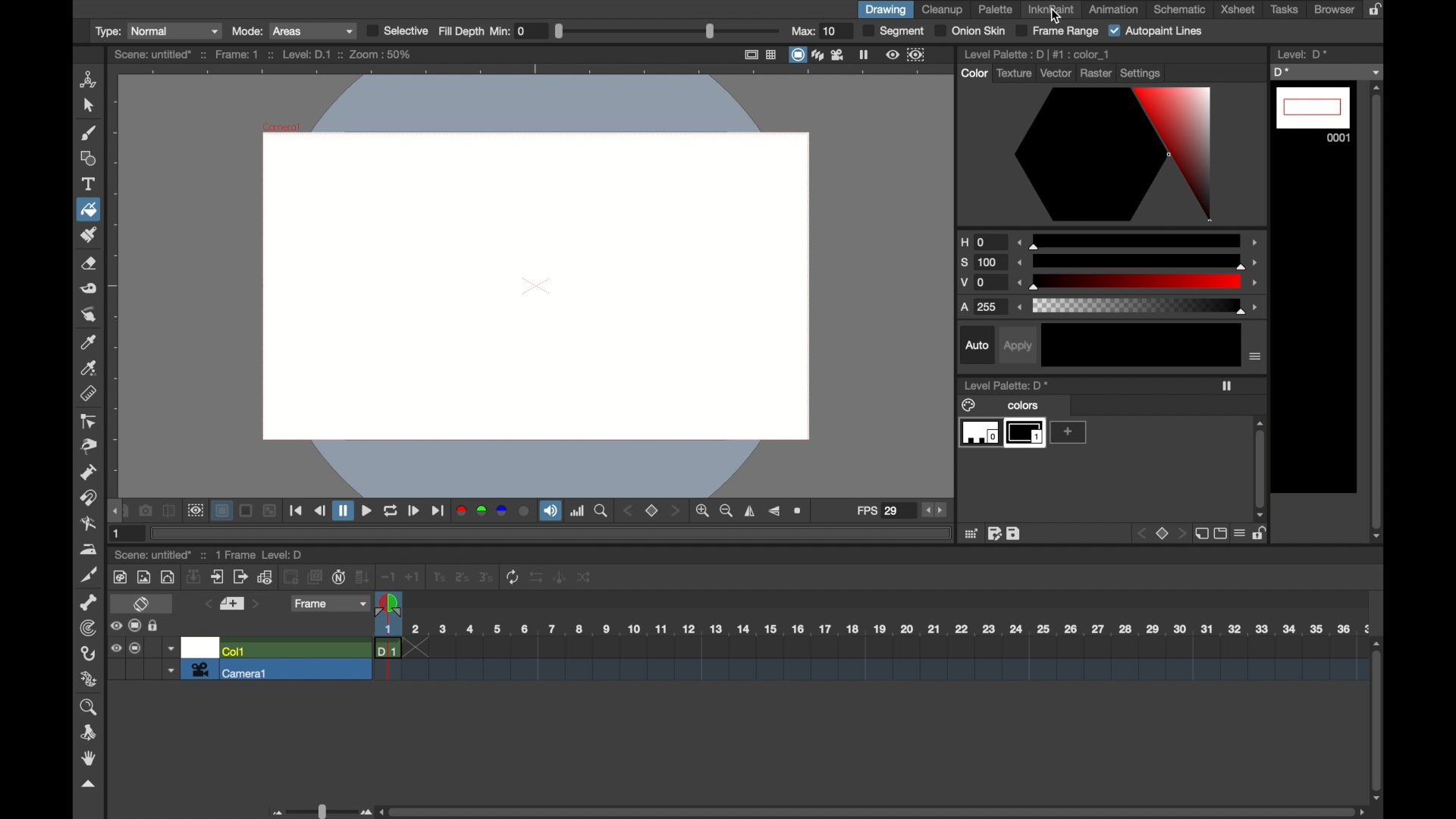 Image resolution: width=1456 pixels, height=819 pixels. What do you see at coordinates (550, 511) in the screenshot?
I see `soundtrack` at bounding box center [550, 511].